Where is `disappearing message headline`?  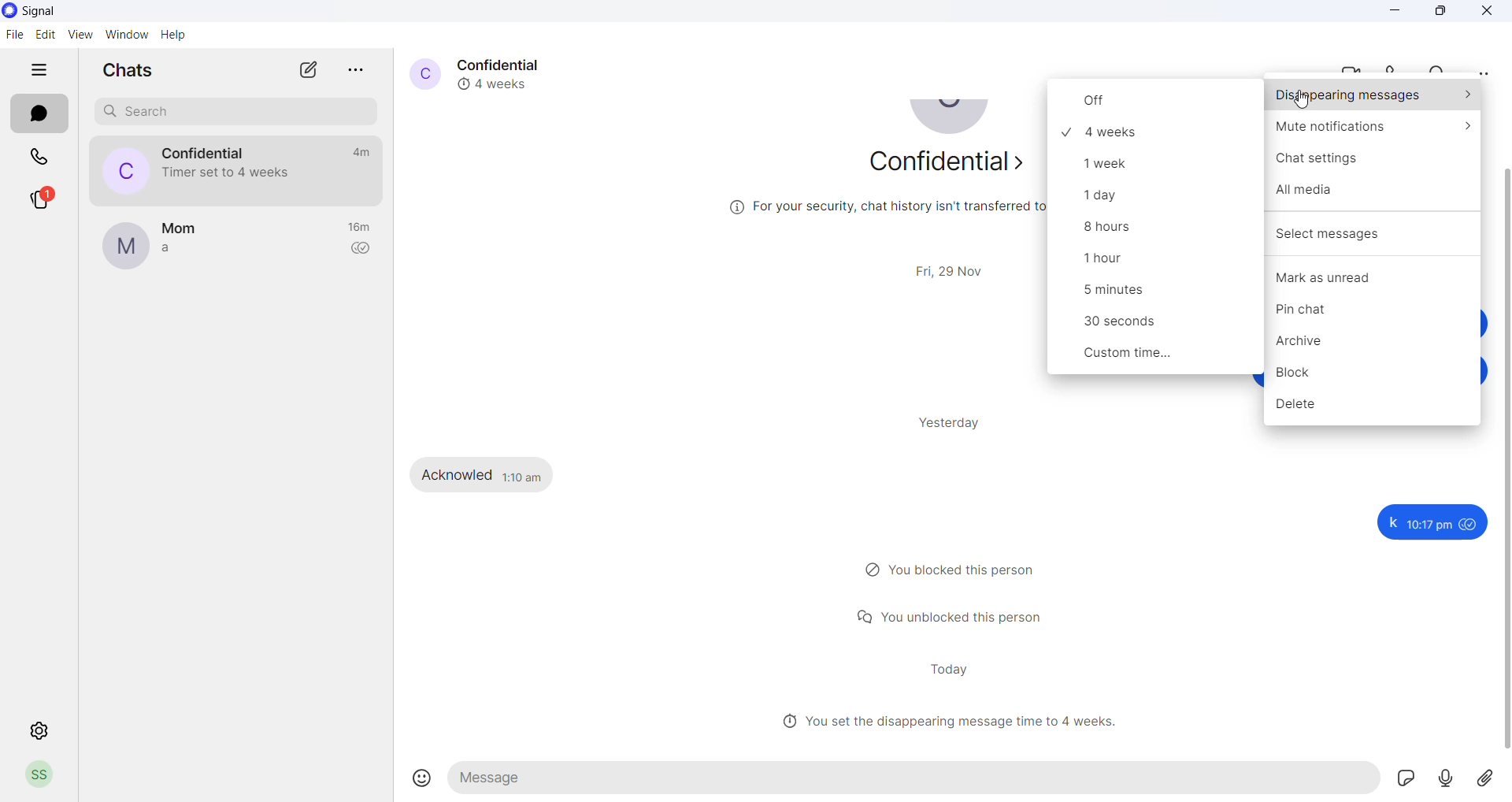
disappearing message headline is located at coordinates (955, 721).